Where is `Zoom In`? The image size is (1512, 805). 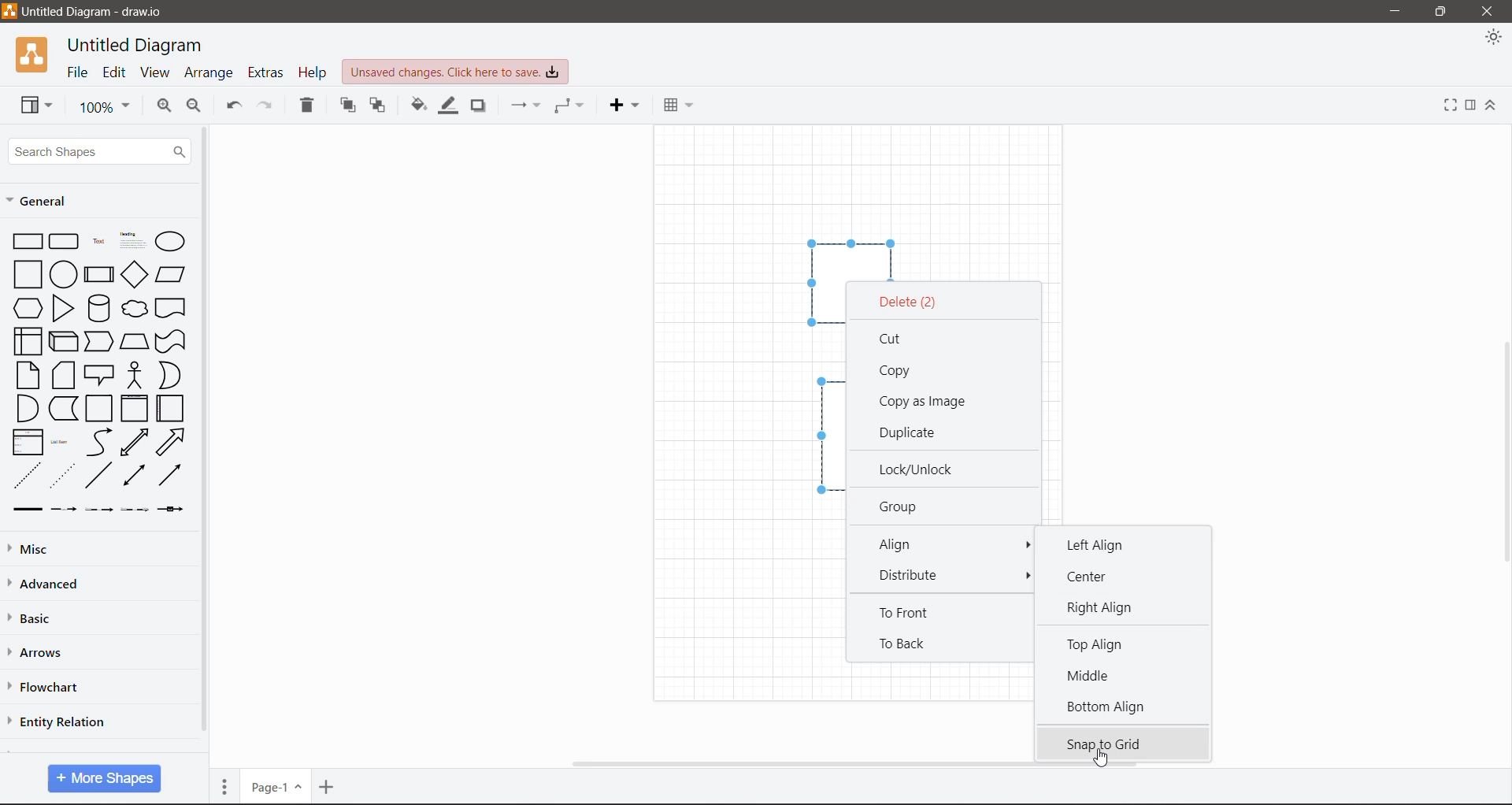
Zoom In is located at coordinates (164, 108).